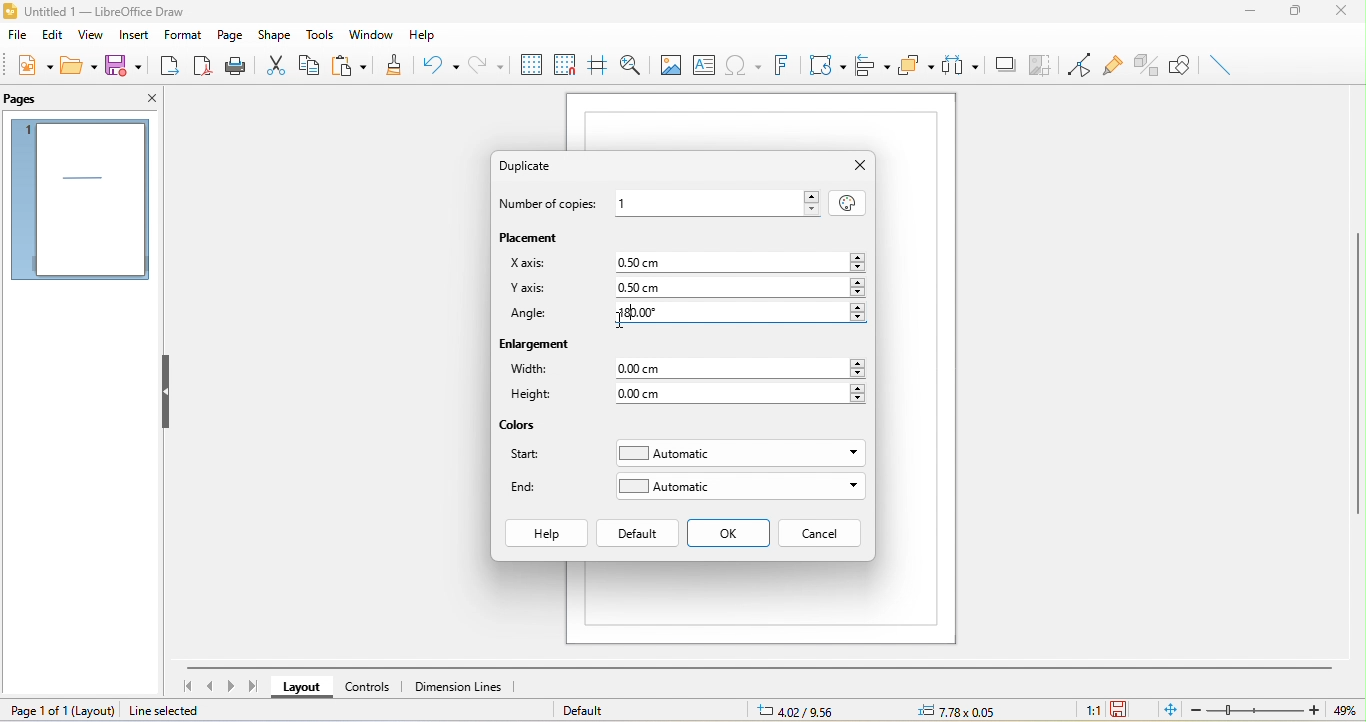  Describe the element at coordinates (1122, 710) in the screenshot. I see `the document has not been modified since the last save` at that location.